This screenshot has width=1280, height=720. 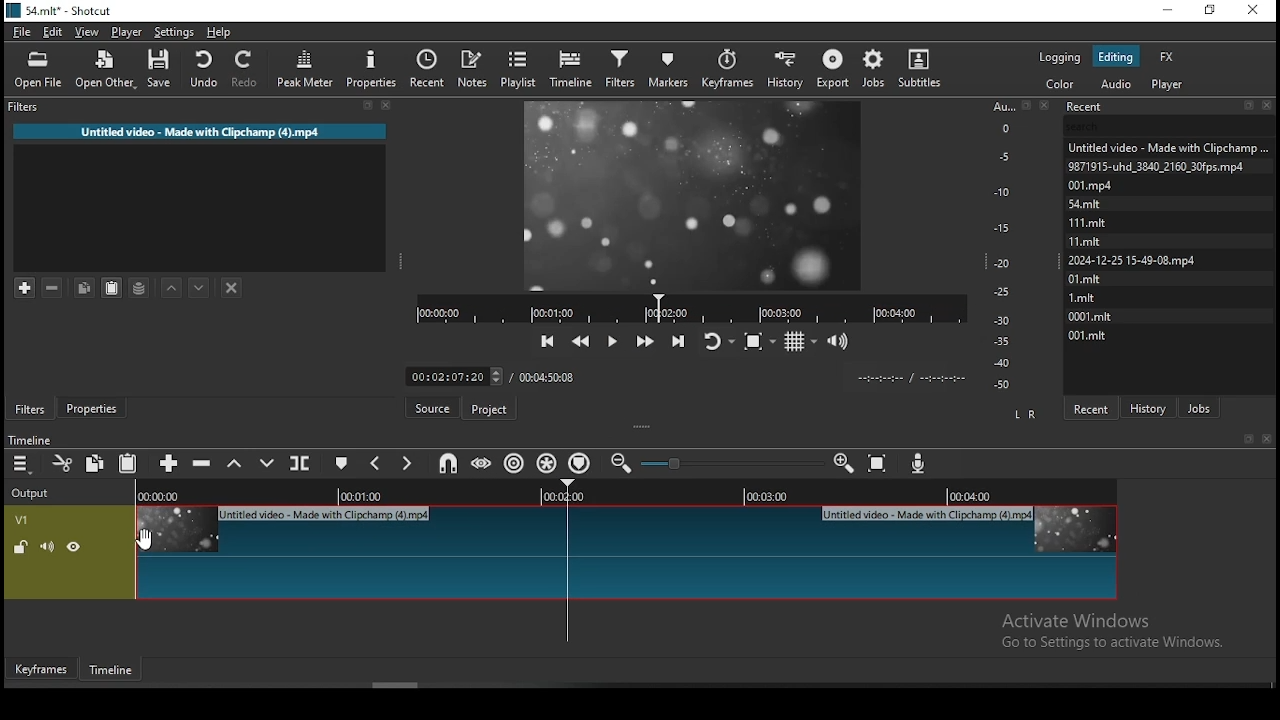 I want to click on ripple markers, so click(x=581, y=461).